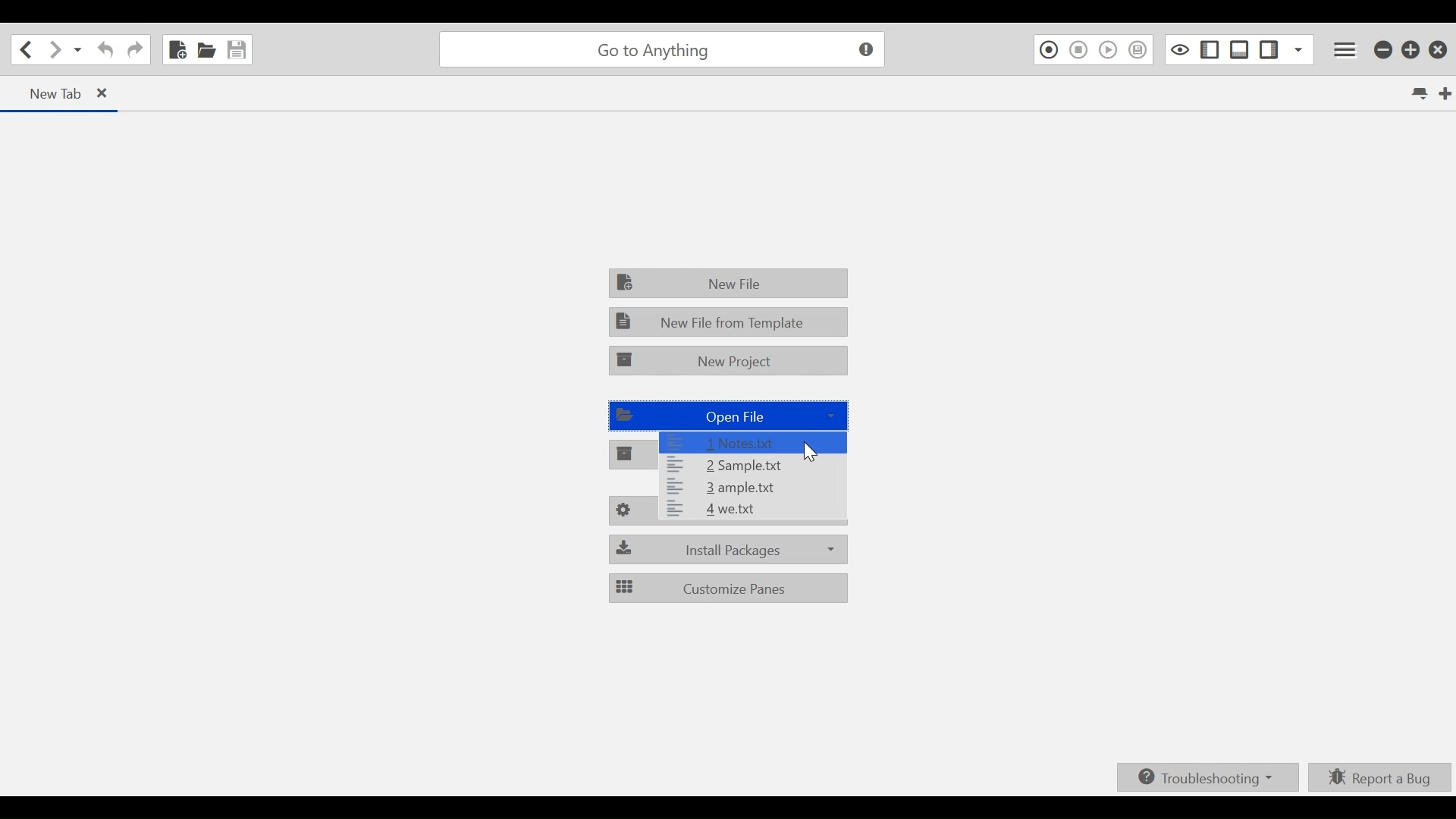  I want to click on Customize Panes, so click(729, 588).